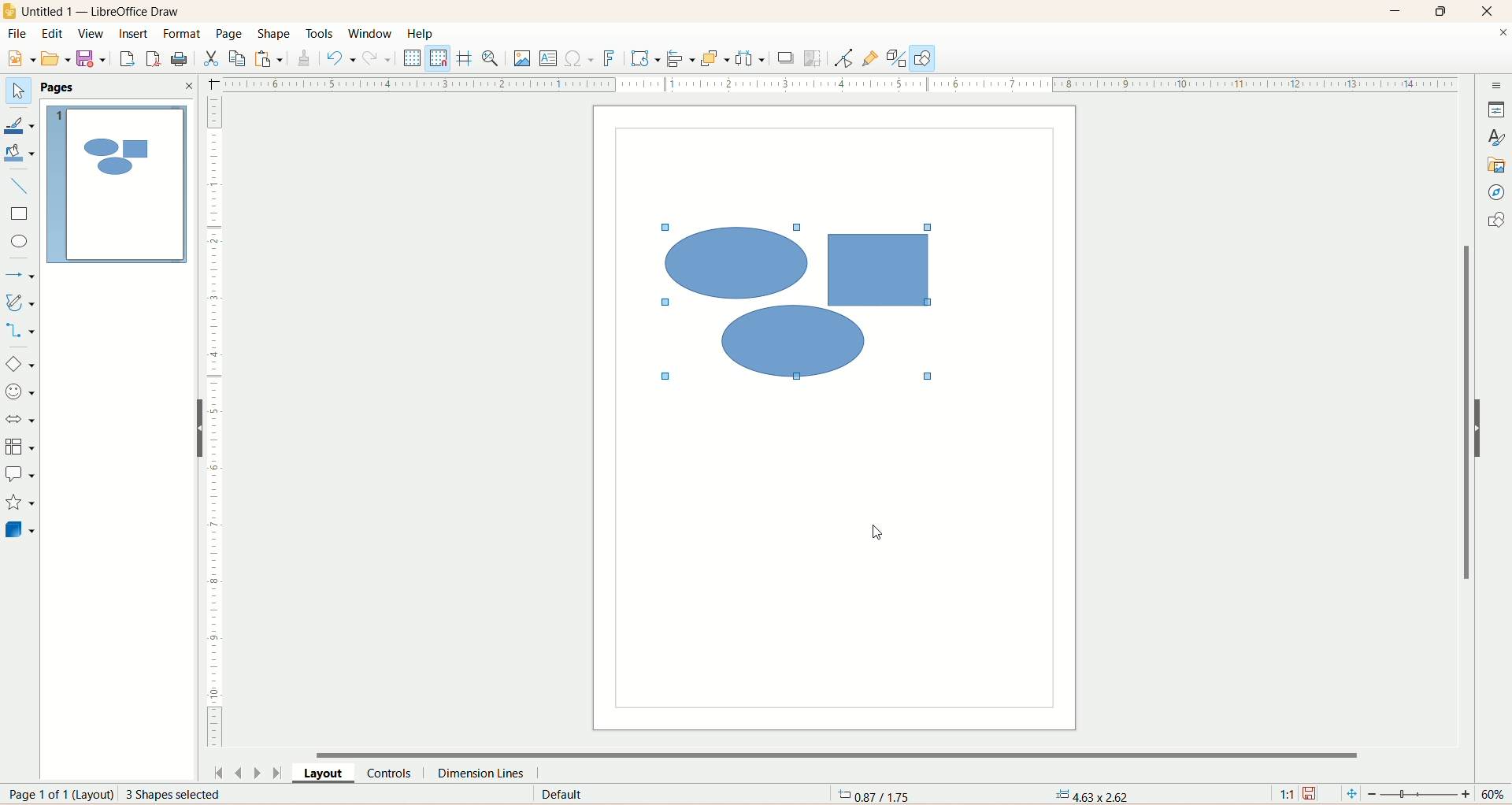 This screenshot has height=805, width=1512. What do you see at coordinates (1350, 795) in the screenshot?
I see `fit page` at bounding box center [1350, 795].